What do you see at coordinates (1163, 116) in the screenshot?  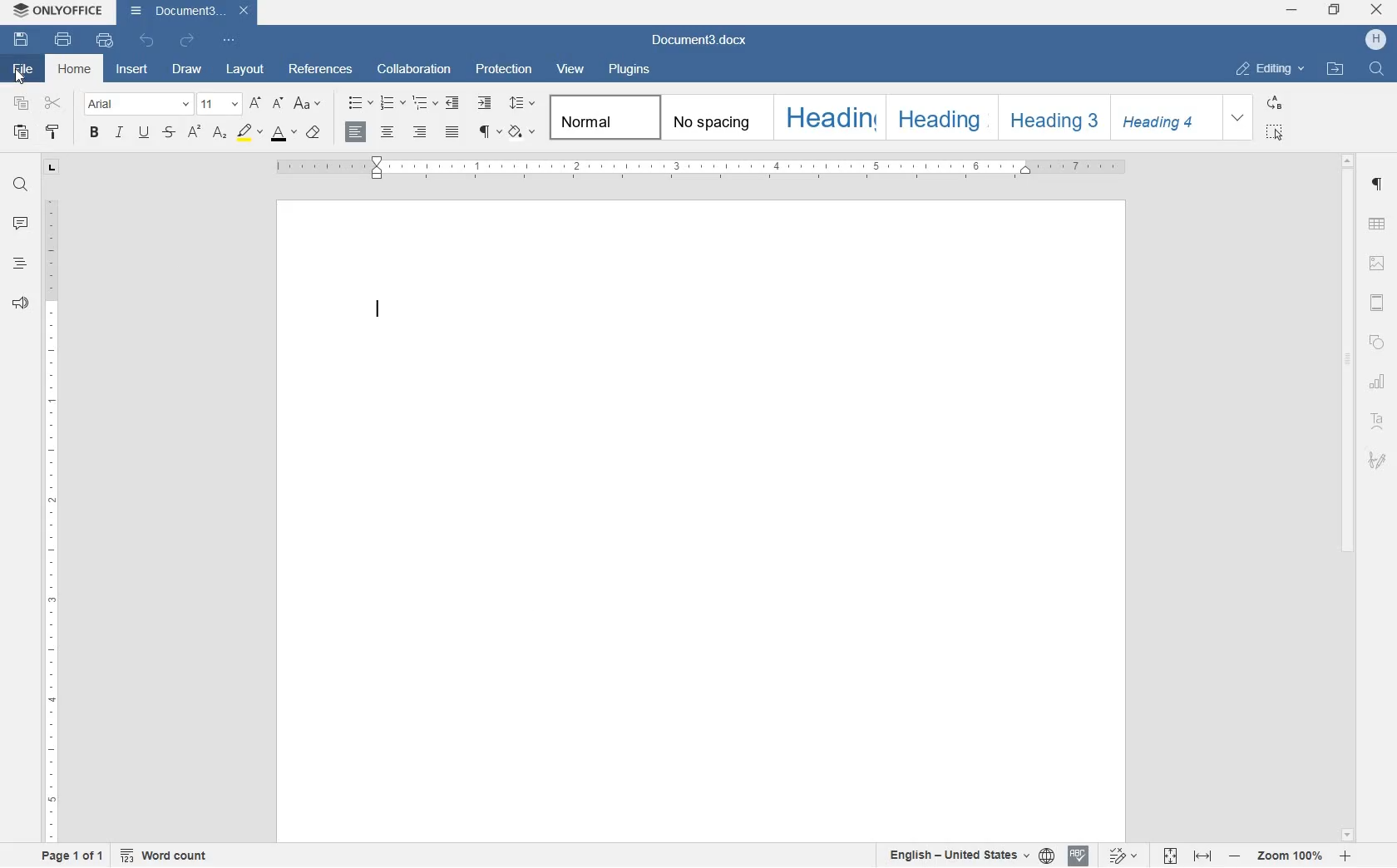 I see `heading 4` at bounding box center [1163, 116].